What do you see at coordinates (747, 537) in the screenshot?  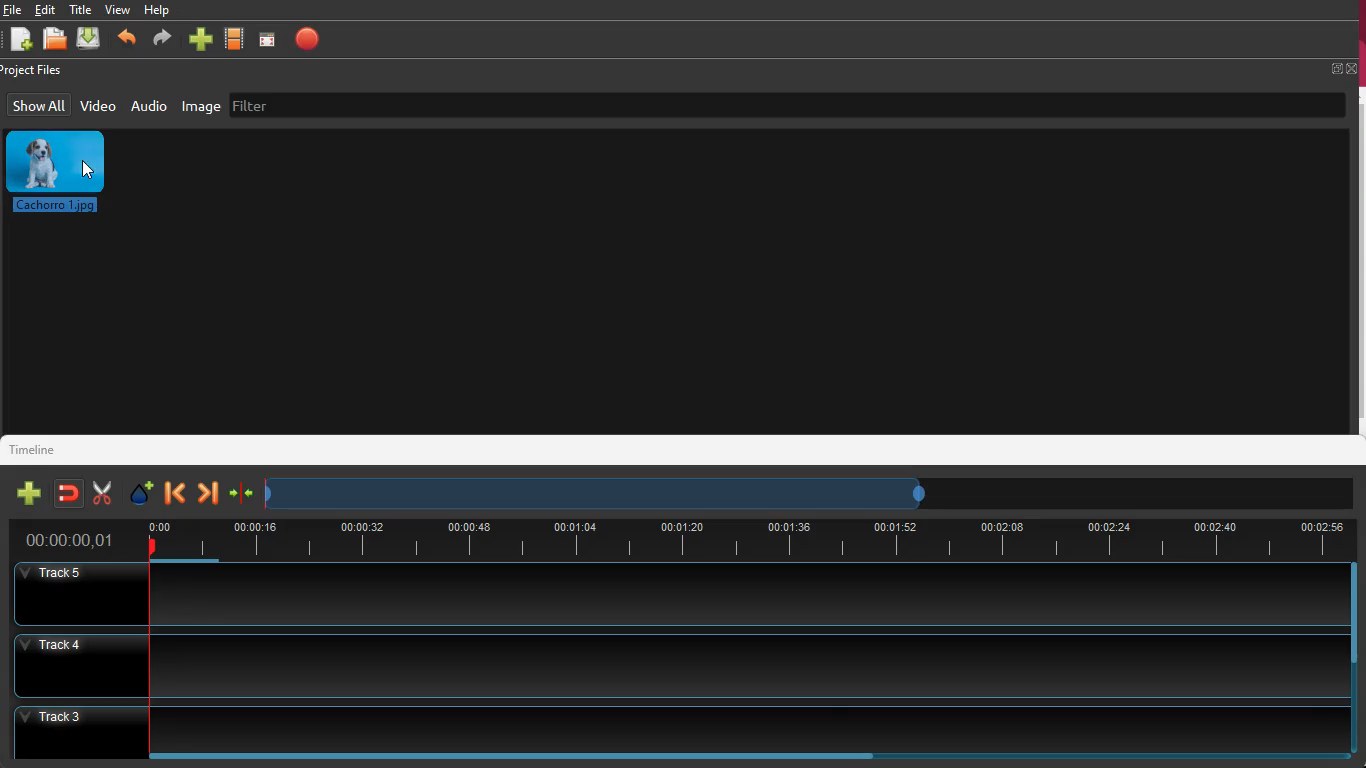 I see `timeline` at bounding box center [747, 537].